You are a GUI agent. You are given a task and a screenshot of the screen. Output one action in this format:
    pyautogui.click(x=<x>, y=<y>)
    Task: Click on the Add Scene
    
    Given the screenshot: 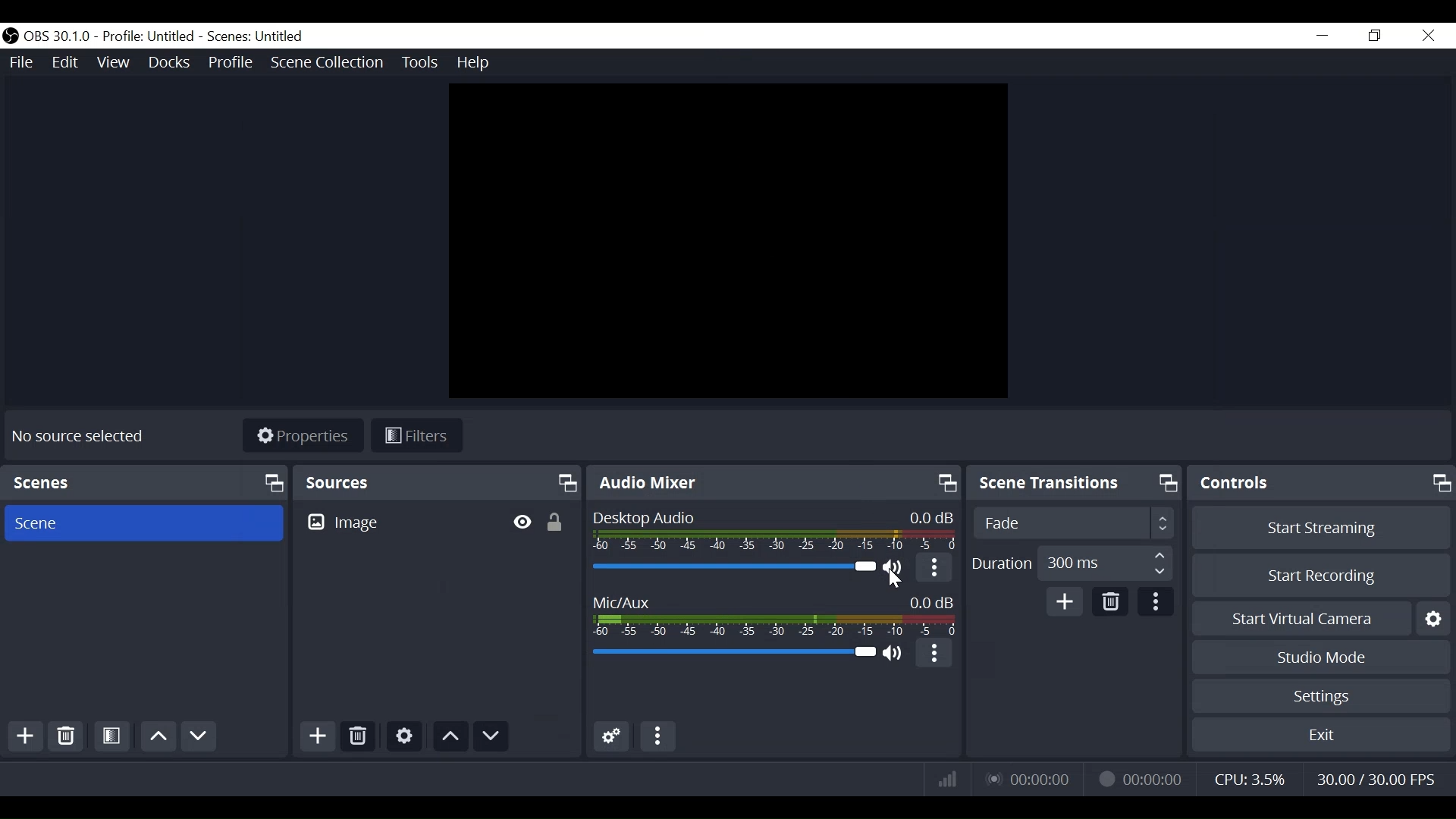 What is the action you would take?
    pyautogui.click(x=24, y=739)
    